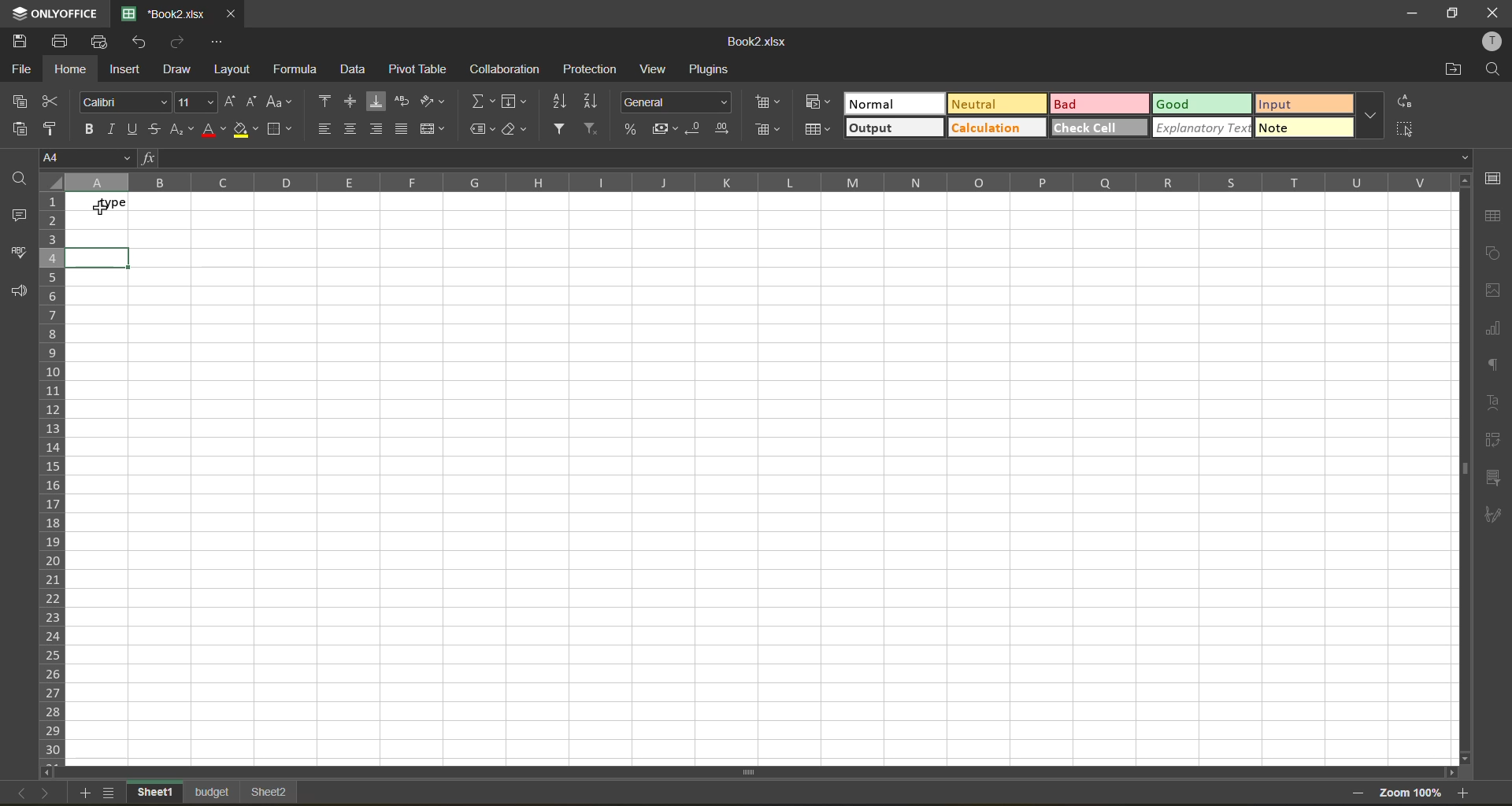 Image resolution: width=1512 pixels, height=806 pixels. What do you see at coordinates (1494, 476) in the screenshot?
I see `slicer` at bounding box center [1494, 476].